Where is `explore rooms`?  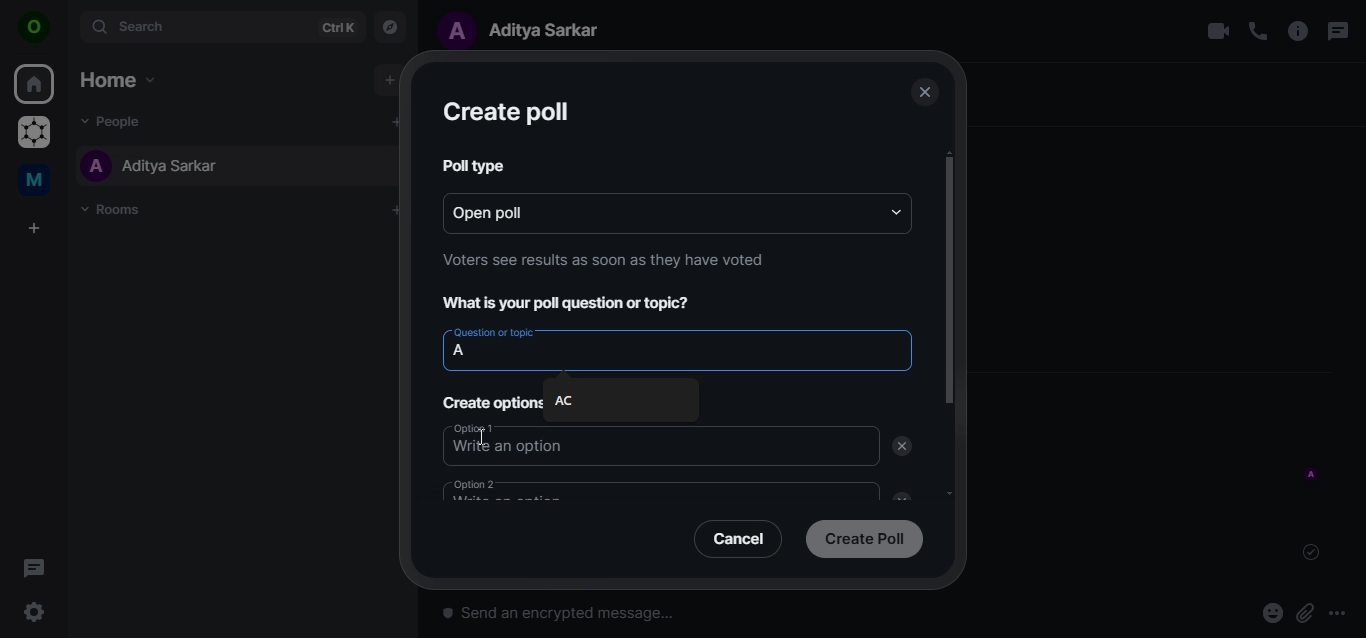
explore rooms is located at coordinates (391, 25).